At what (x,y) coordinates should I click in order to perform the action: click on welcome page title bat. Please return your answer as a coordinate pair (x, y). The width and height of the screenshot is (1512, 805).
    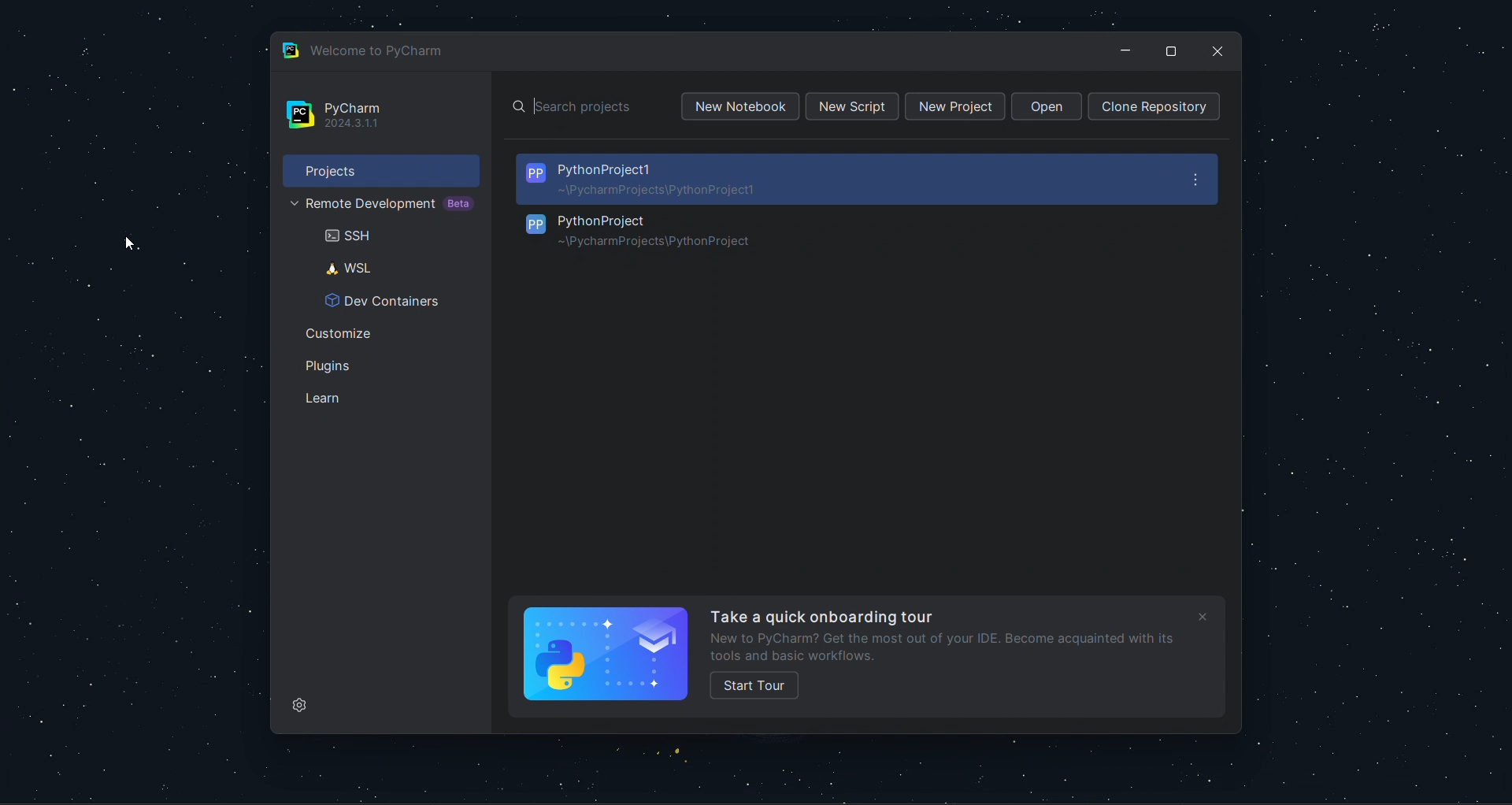
    Looking at the image, I should click on (676, 50).